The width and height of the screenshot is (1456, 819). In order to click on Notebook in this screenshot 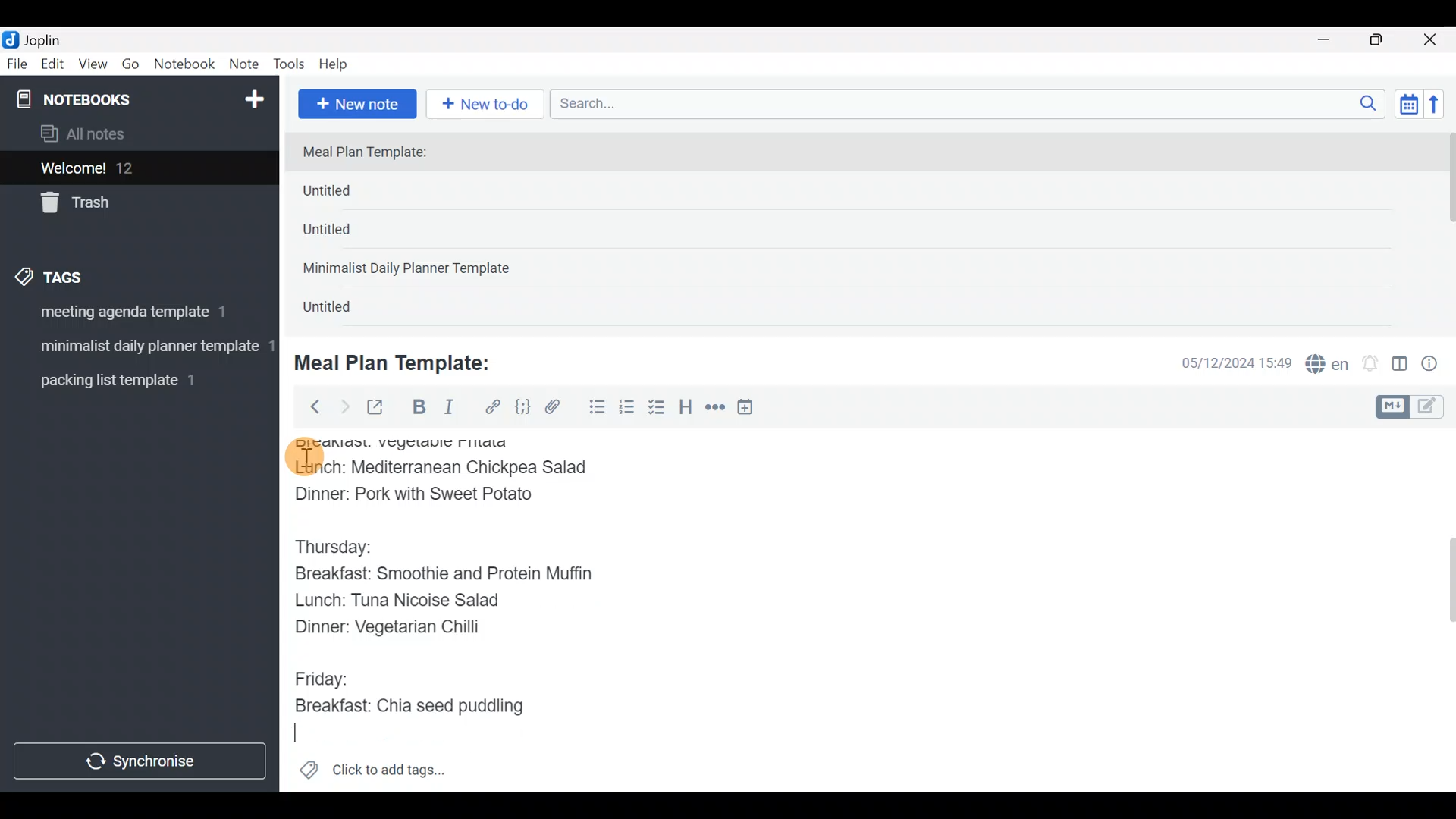, I will do `click(185, 64)`.